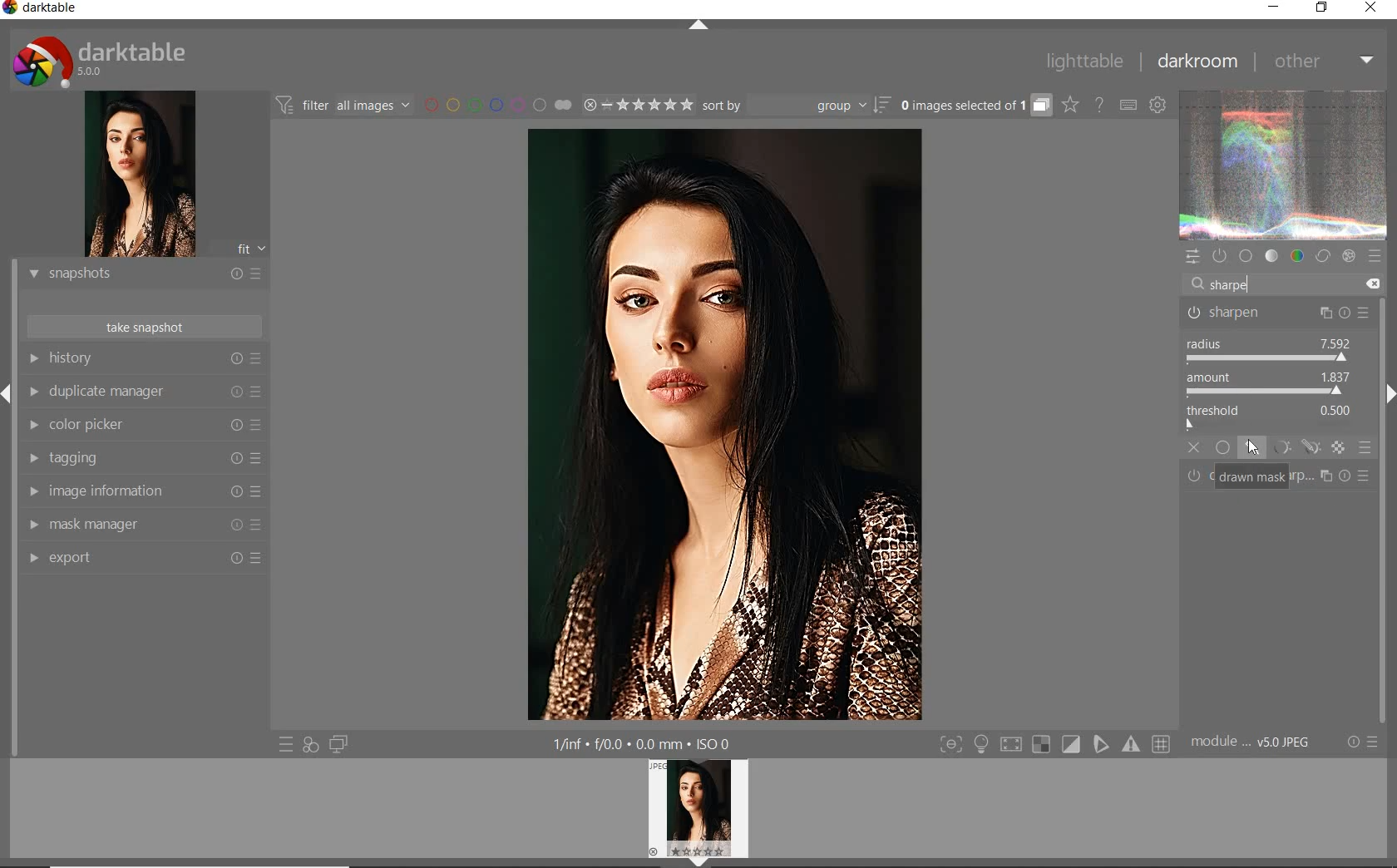 This screenshot has width=1397, height=868. What do you see at coordinates (1348, 257) in the screenshot?
I see `effect` at bounding box center [1348, 257].